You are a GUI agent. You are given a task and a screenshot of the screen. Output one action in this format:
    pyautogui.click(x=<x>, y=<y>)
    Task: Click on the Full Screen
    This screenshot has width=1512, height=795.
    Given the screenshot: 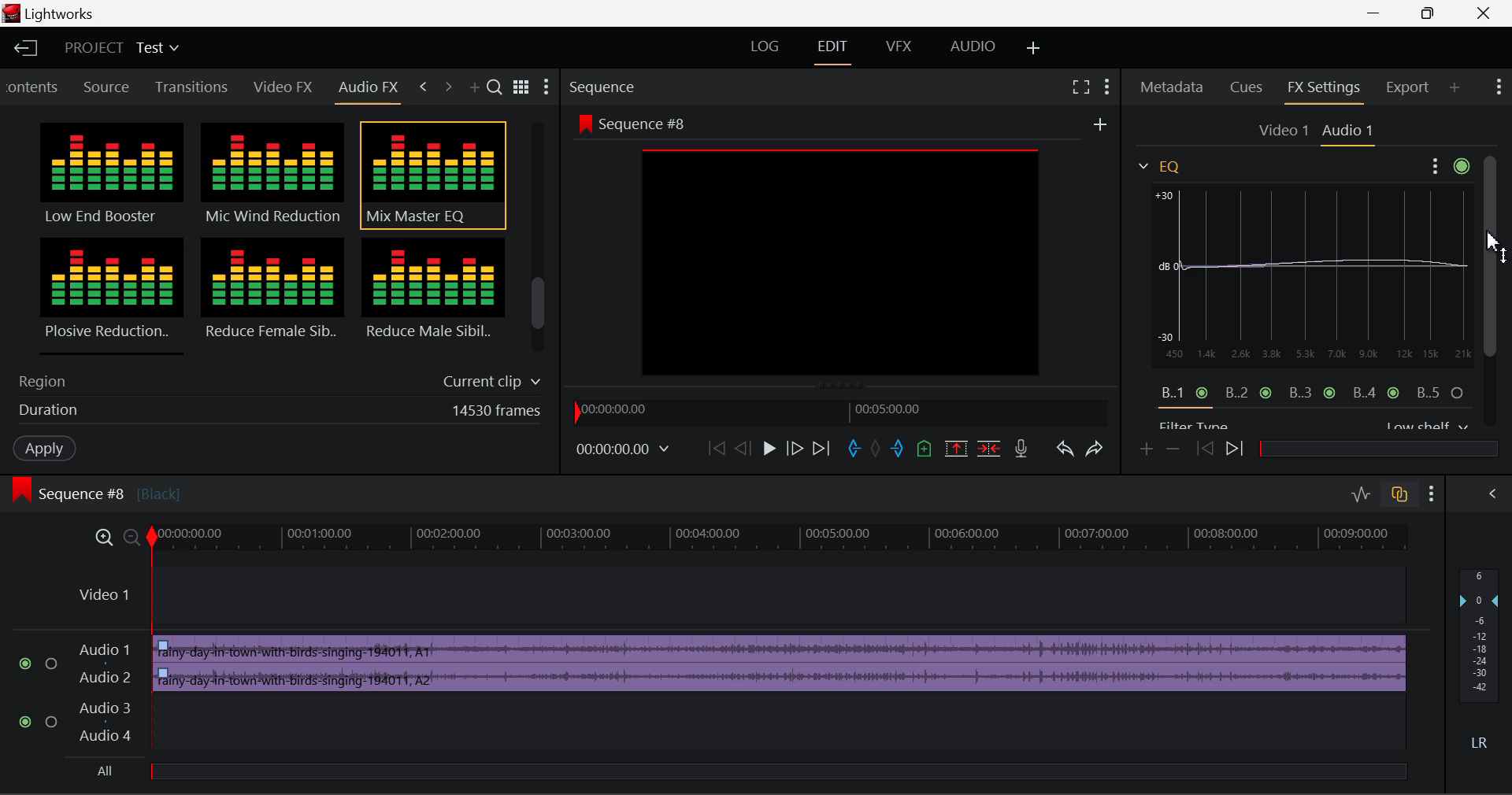 What is the action you would take?
    pyautogui.click(x=1080, y=87)
    